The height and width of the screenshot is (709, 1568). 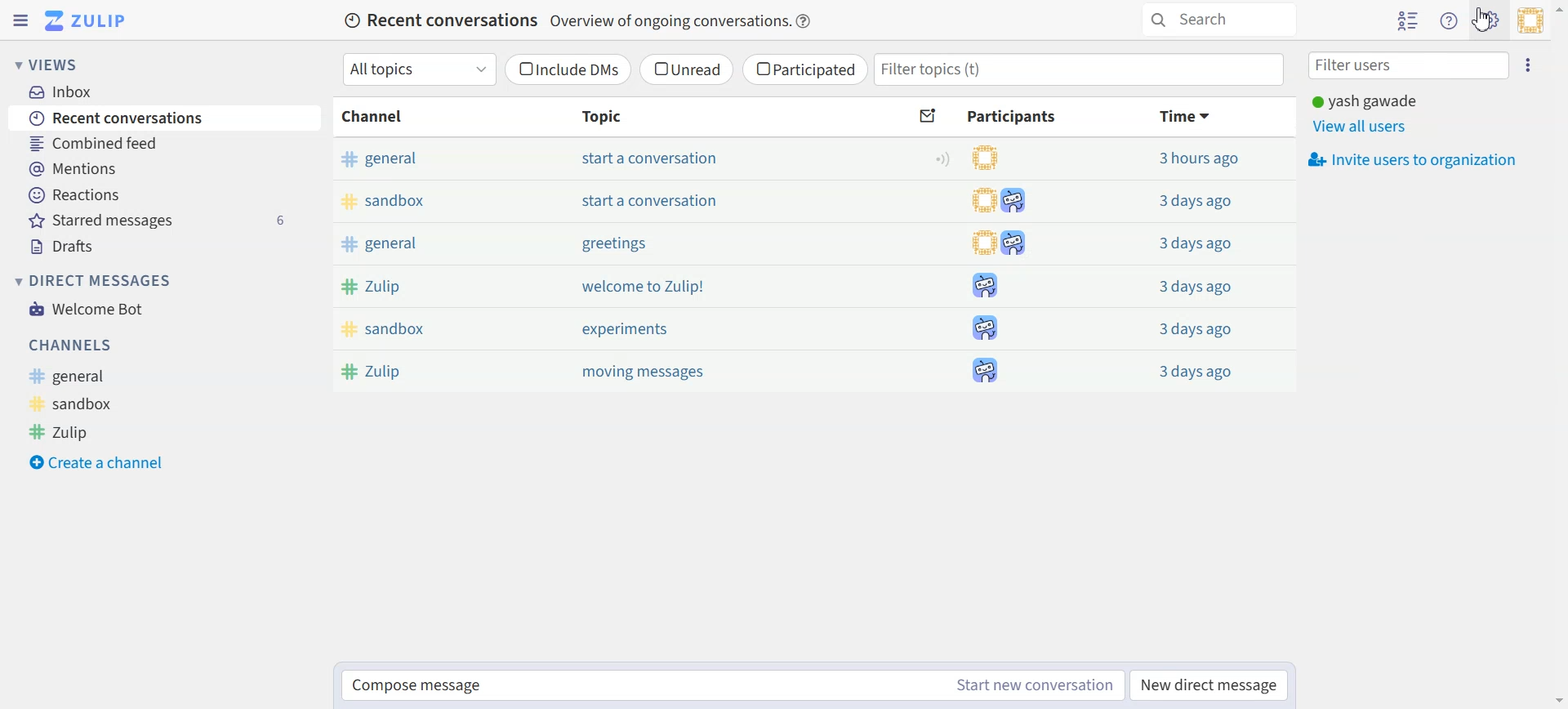 What do you see at coordinates (1192, 372) in the screenshot?
I see `3 days ago` at bounding box center [1192, 372].